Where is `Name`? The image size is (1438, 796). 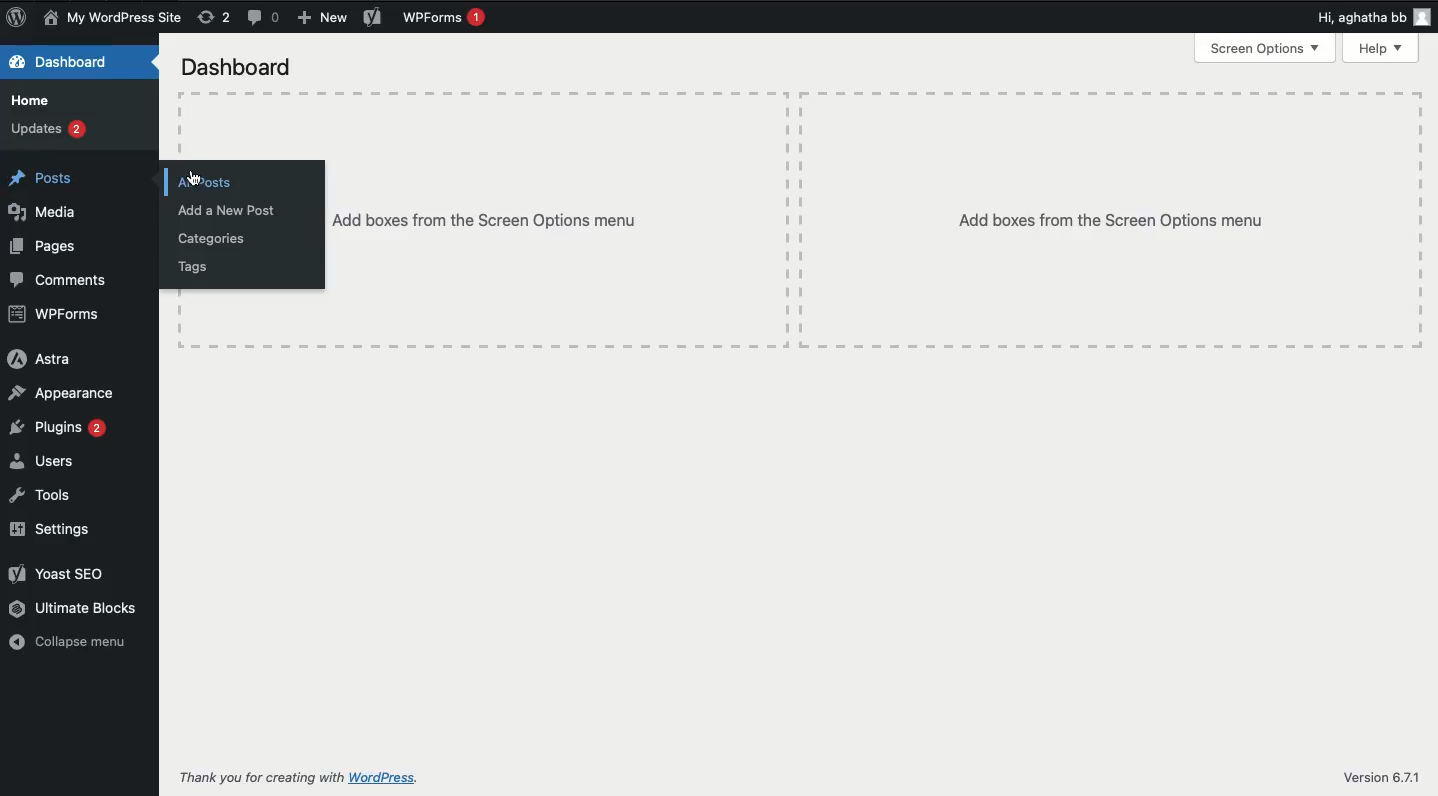 Name is located at coordinates (113, 18).